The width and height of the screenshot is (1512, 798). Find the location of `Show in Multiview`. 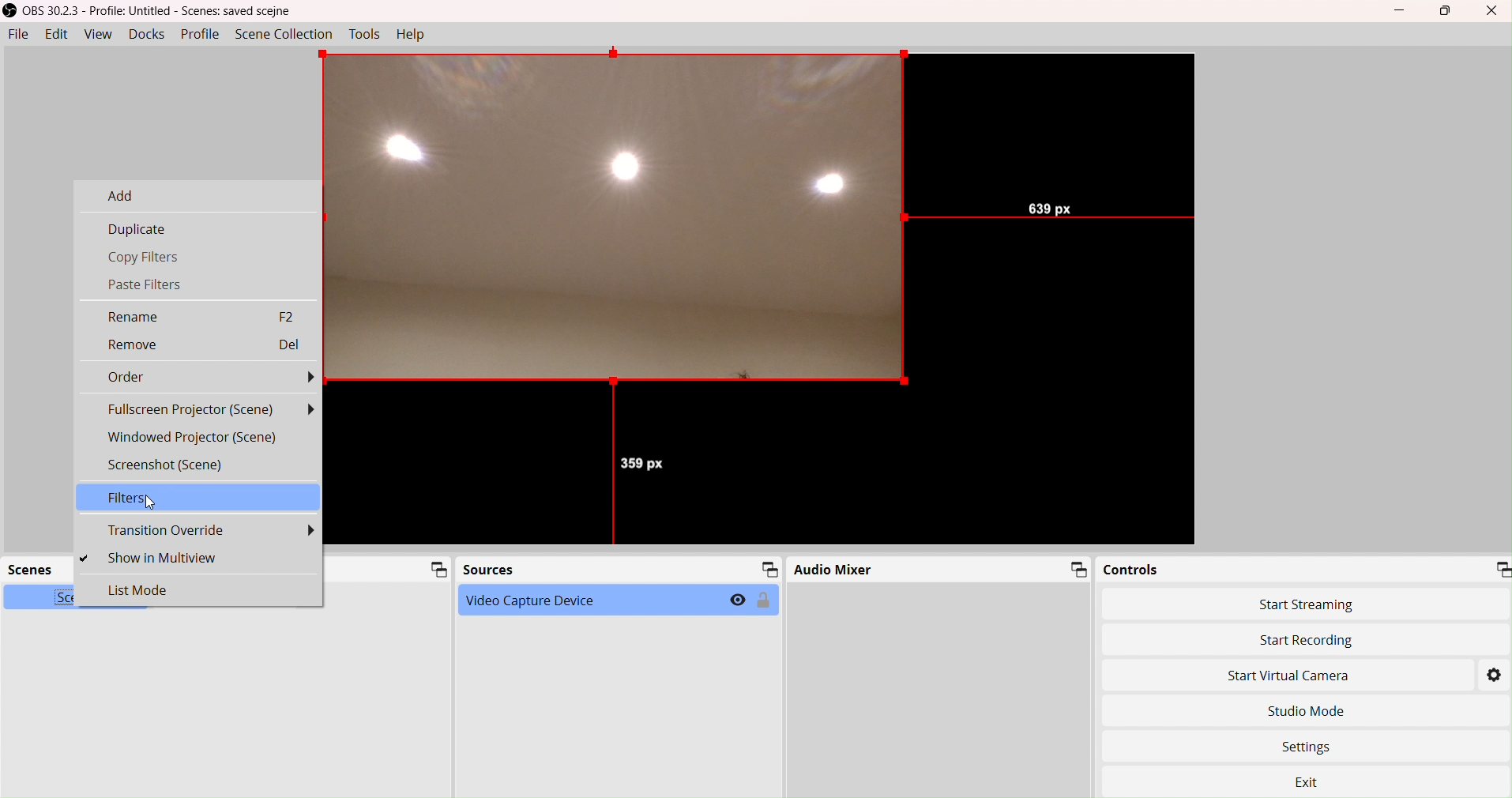

Show in Multiview is located at coordinates (164, 560).